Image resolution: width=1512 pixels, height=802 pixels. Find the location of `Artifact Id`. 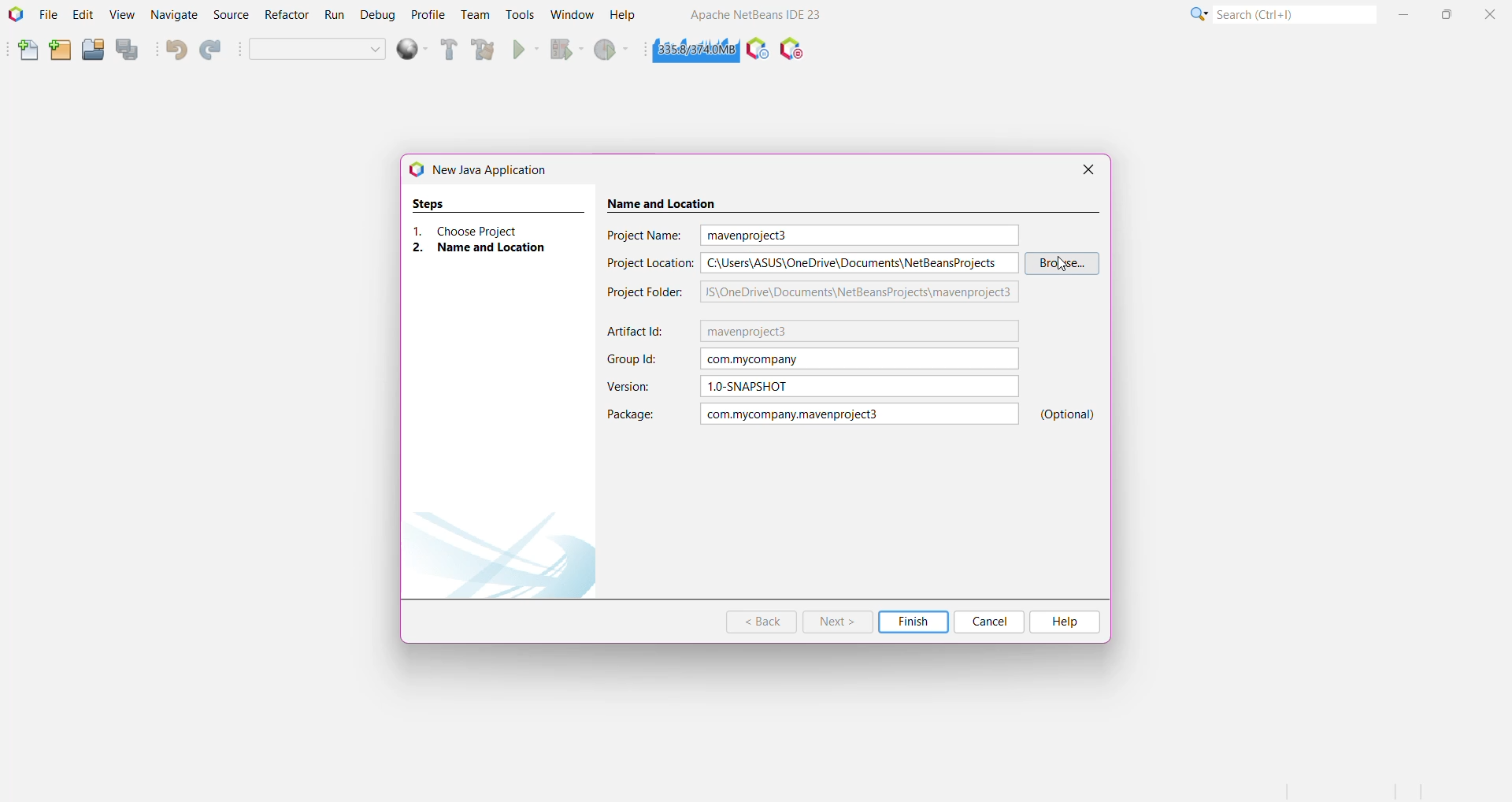

Artifact Id is located at coordinates (639, 332).